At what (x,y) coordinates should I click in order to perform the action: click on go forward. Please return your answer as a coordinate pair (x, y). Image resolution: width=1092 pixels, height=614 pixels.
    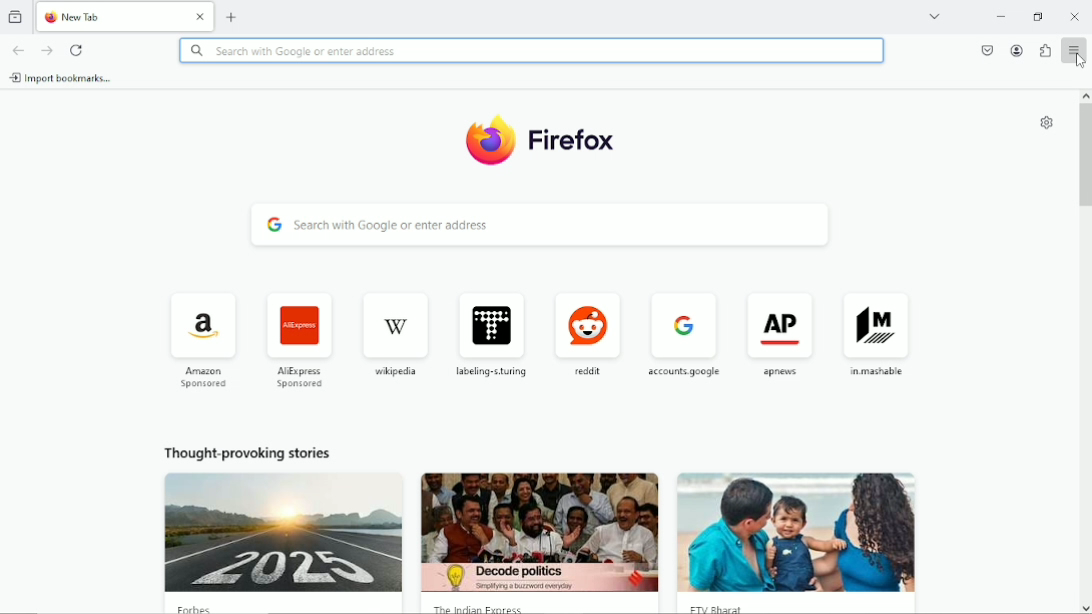
    Looking at the image, I should click on (46, 50).